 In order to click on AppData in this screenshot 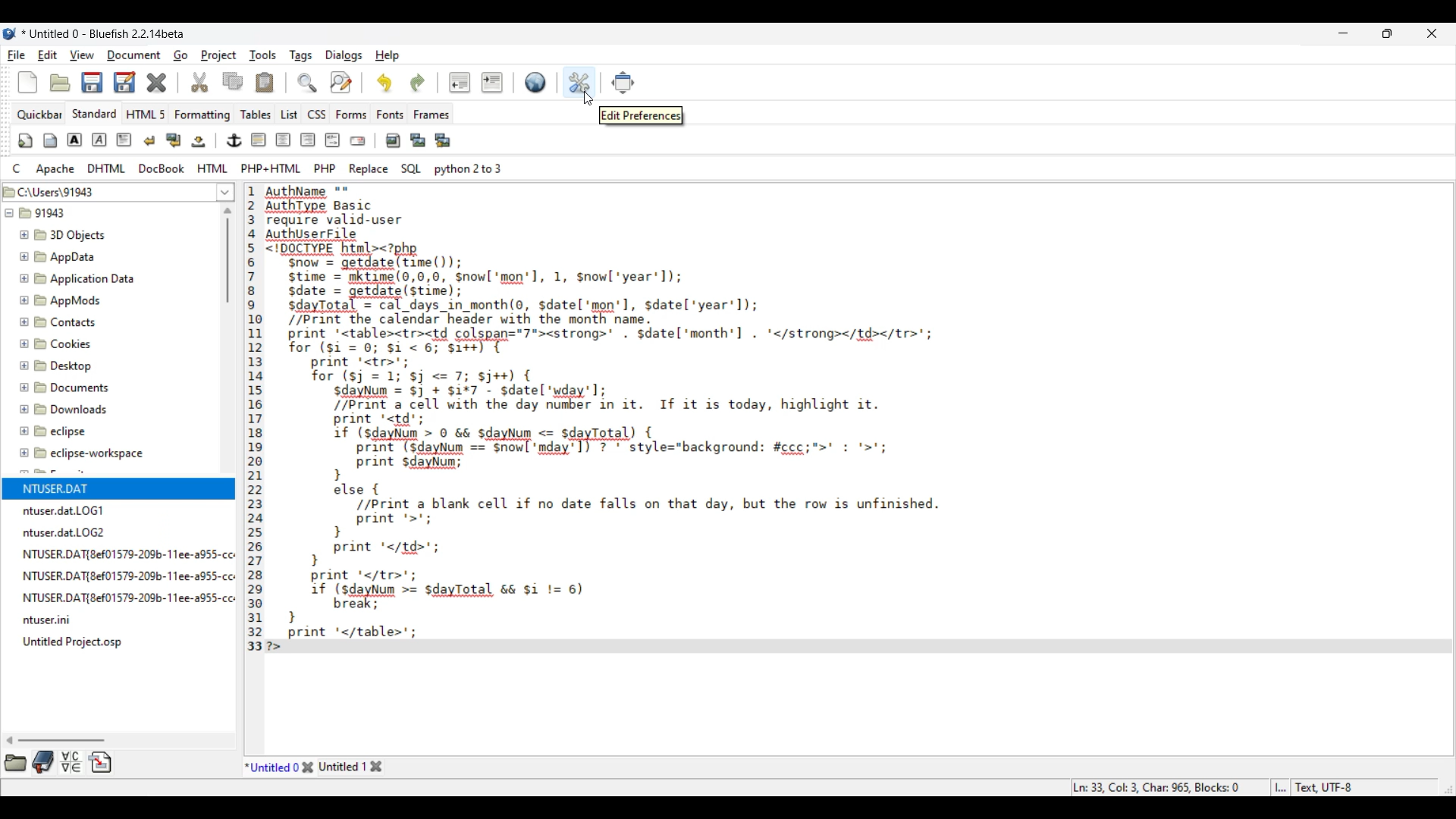, I will do `click(60, 256)`.